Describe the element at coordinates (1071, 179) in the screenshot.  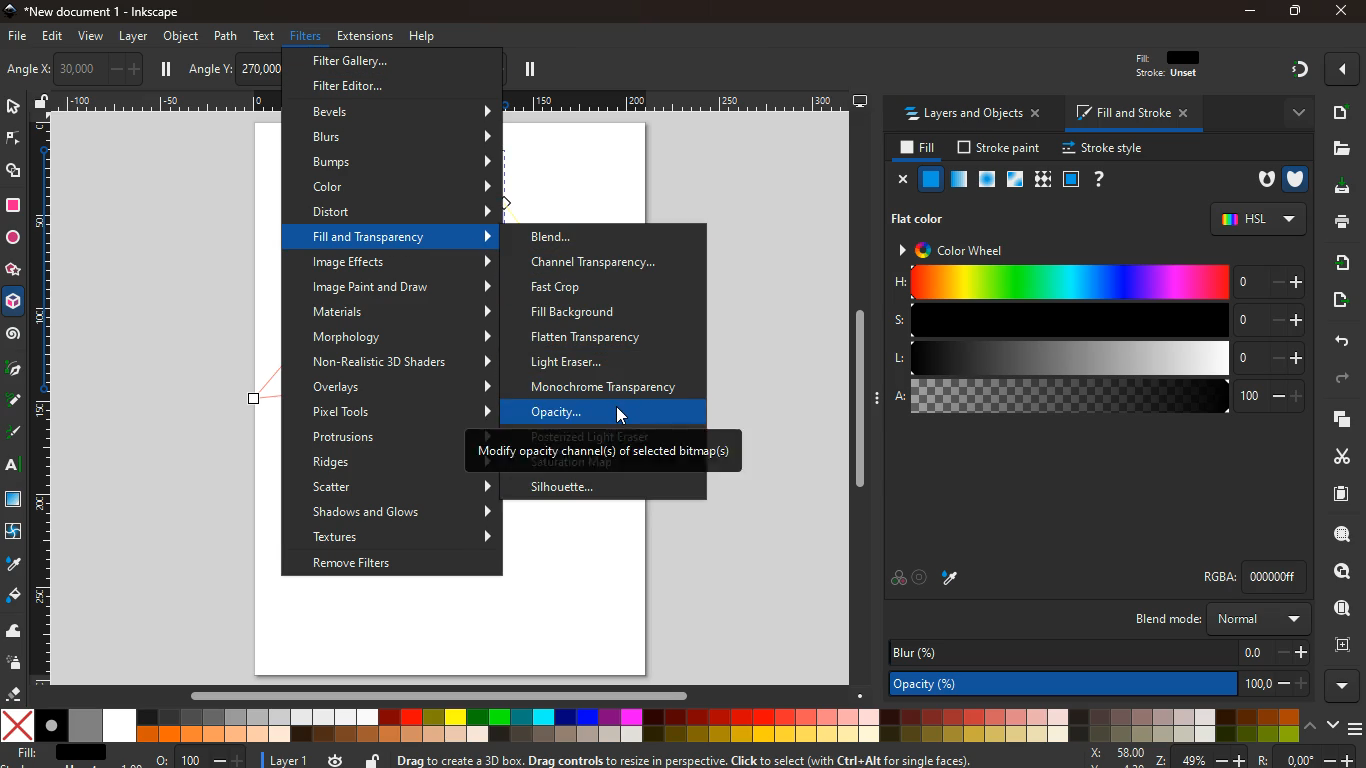
I see `frame` at that location.